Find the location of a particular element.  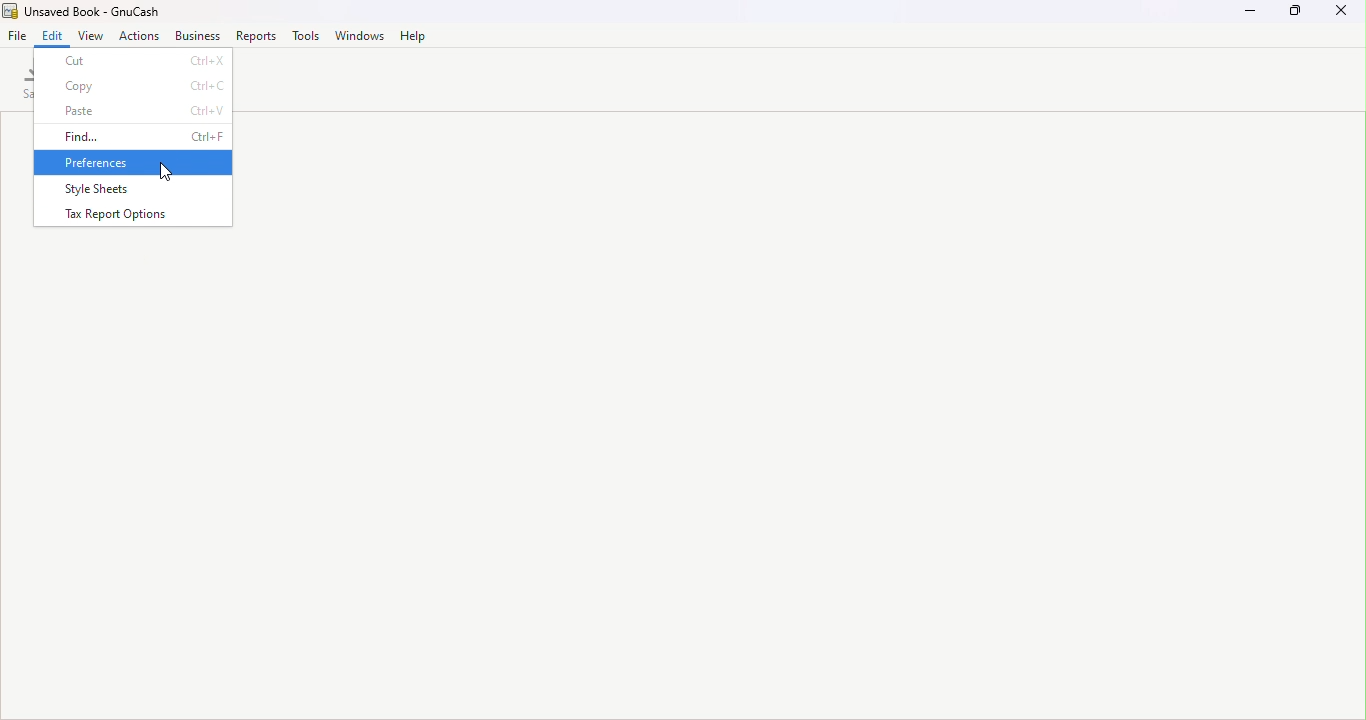

View is located at coordinates (93, 36).